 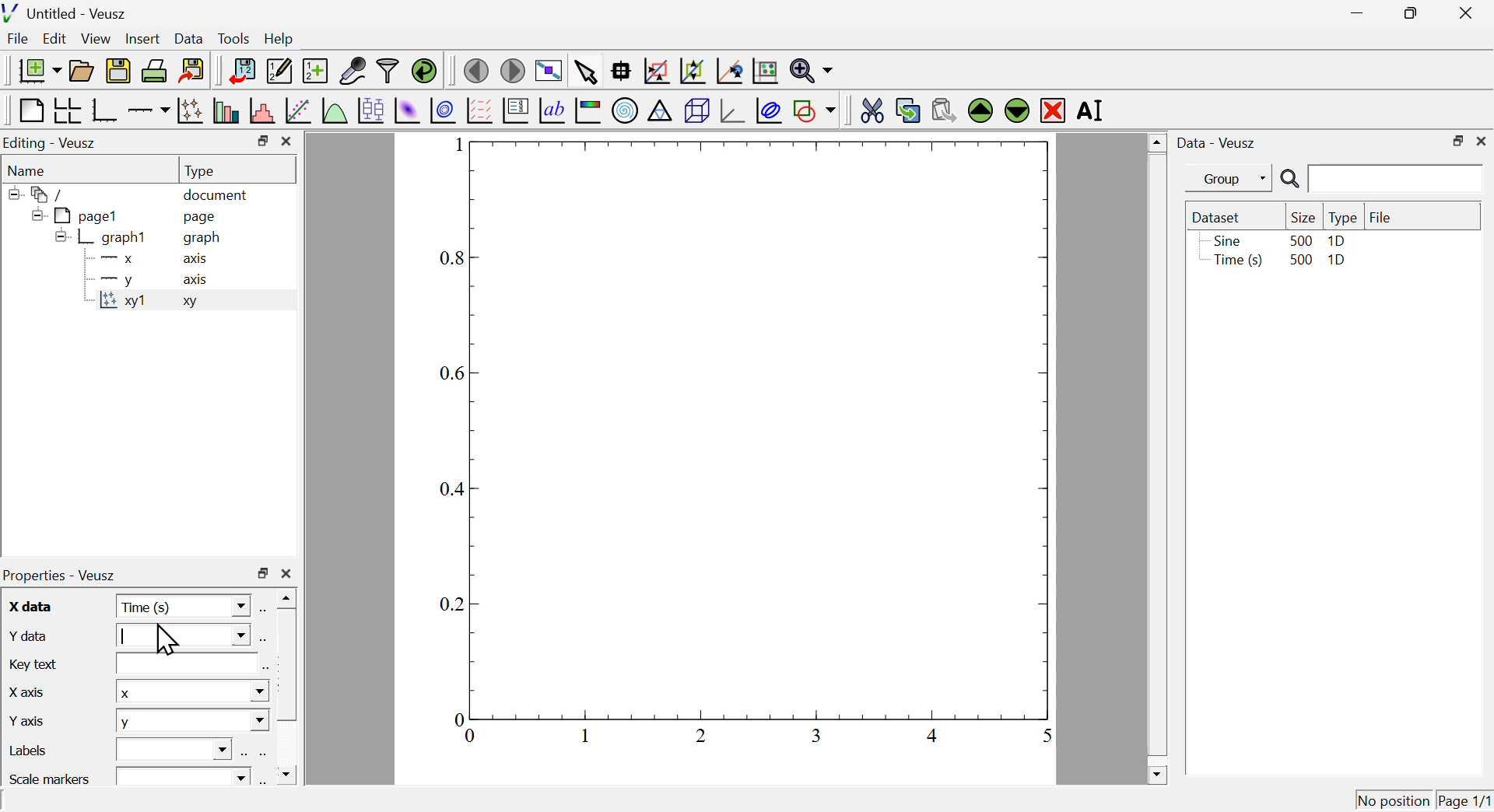 I want to click on reload linked datasets, so click(x=423, y=70).